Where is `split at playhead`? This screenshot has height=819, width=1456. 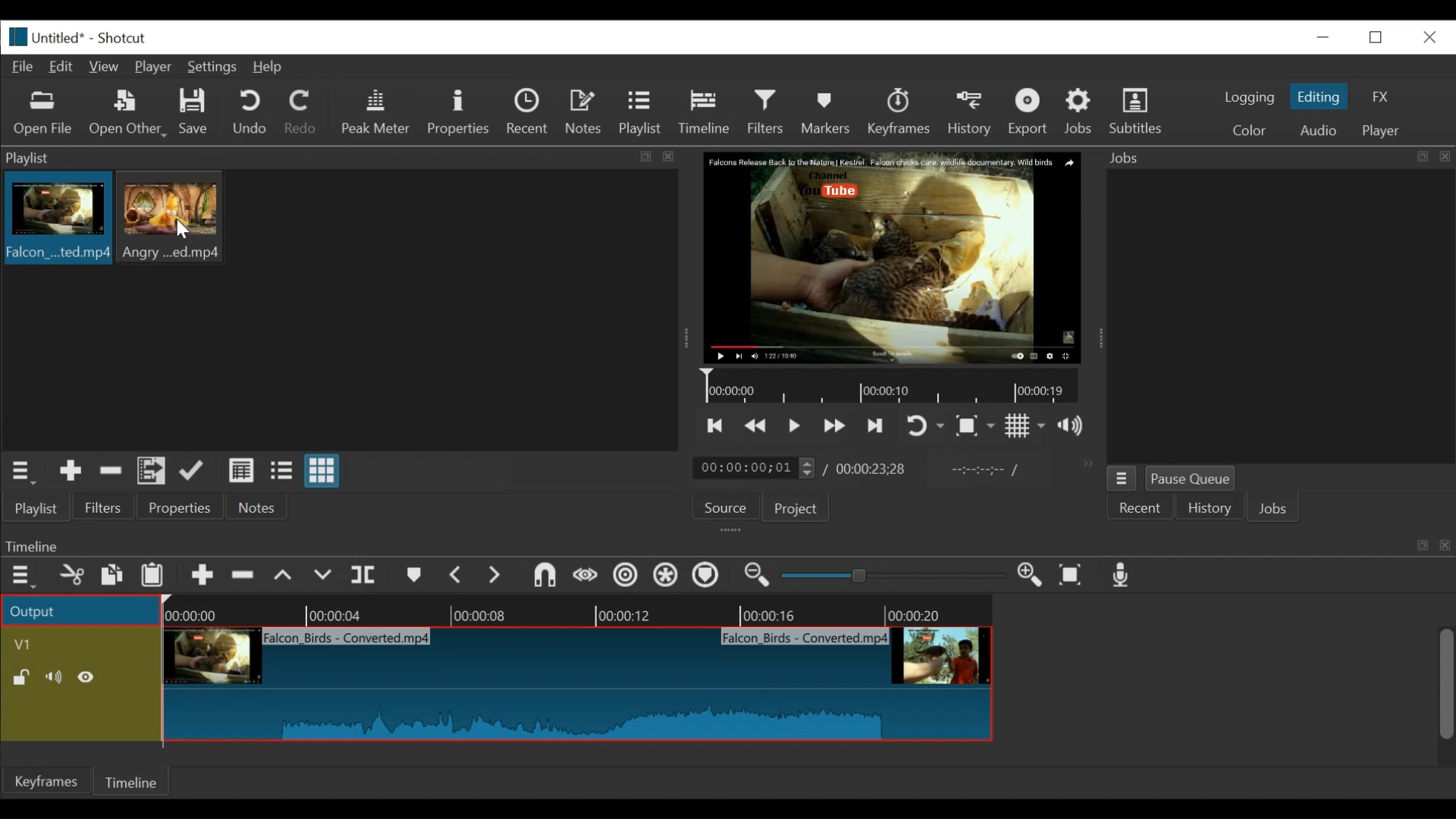
split at playhead is located at coordinates (366, 576).